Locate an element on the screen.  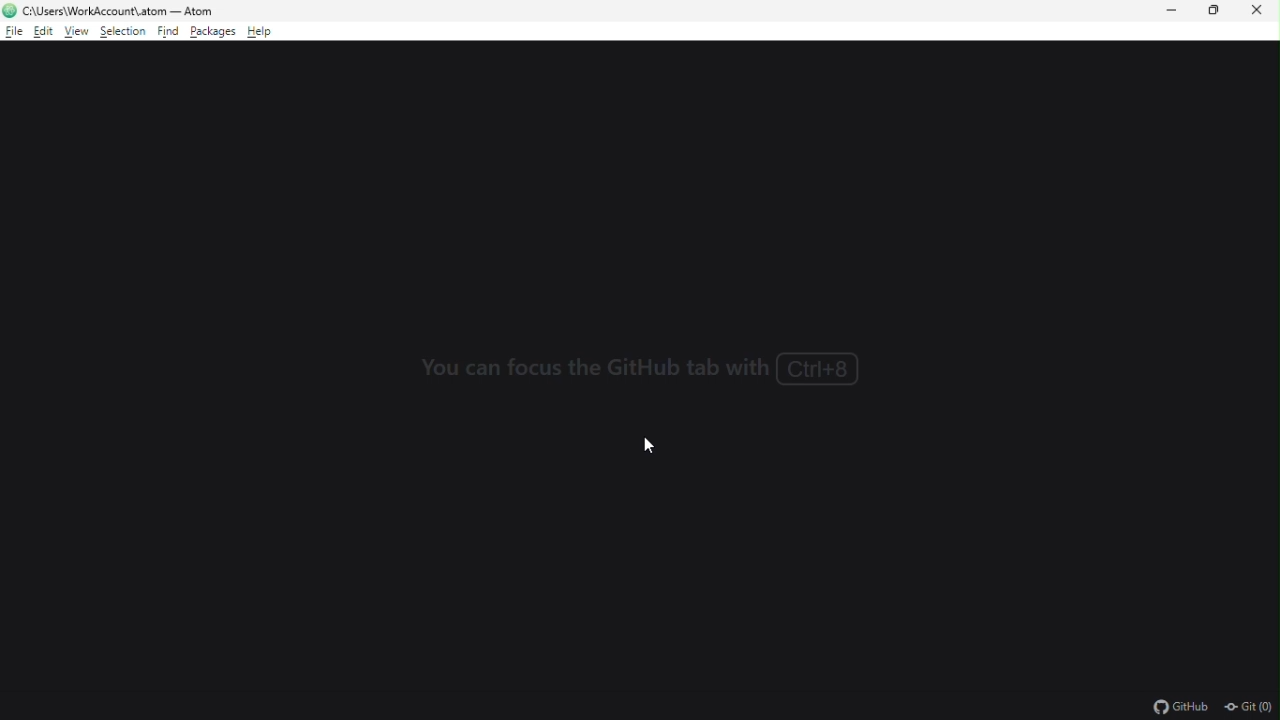
atom logo is located at coordinates (9, 10).